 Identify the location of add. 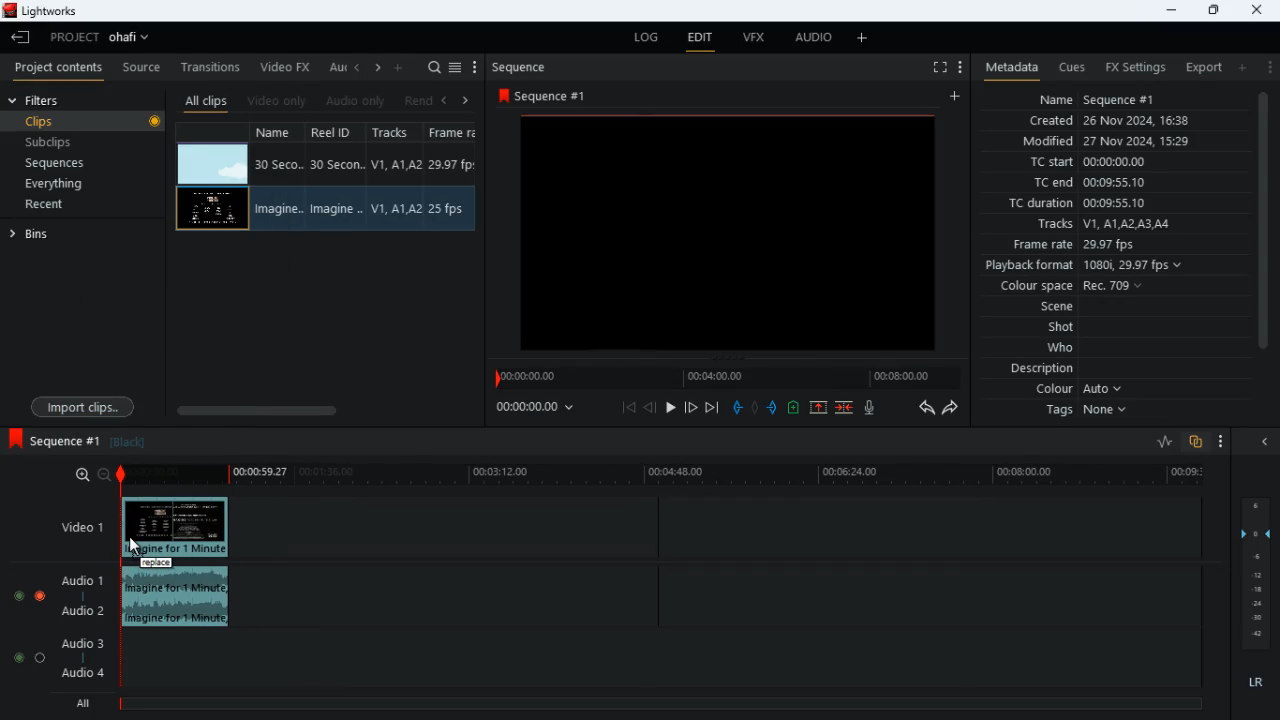
(958, 97).